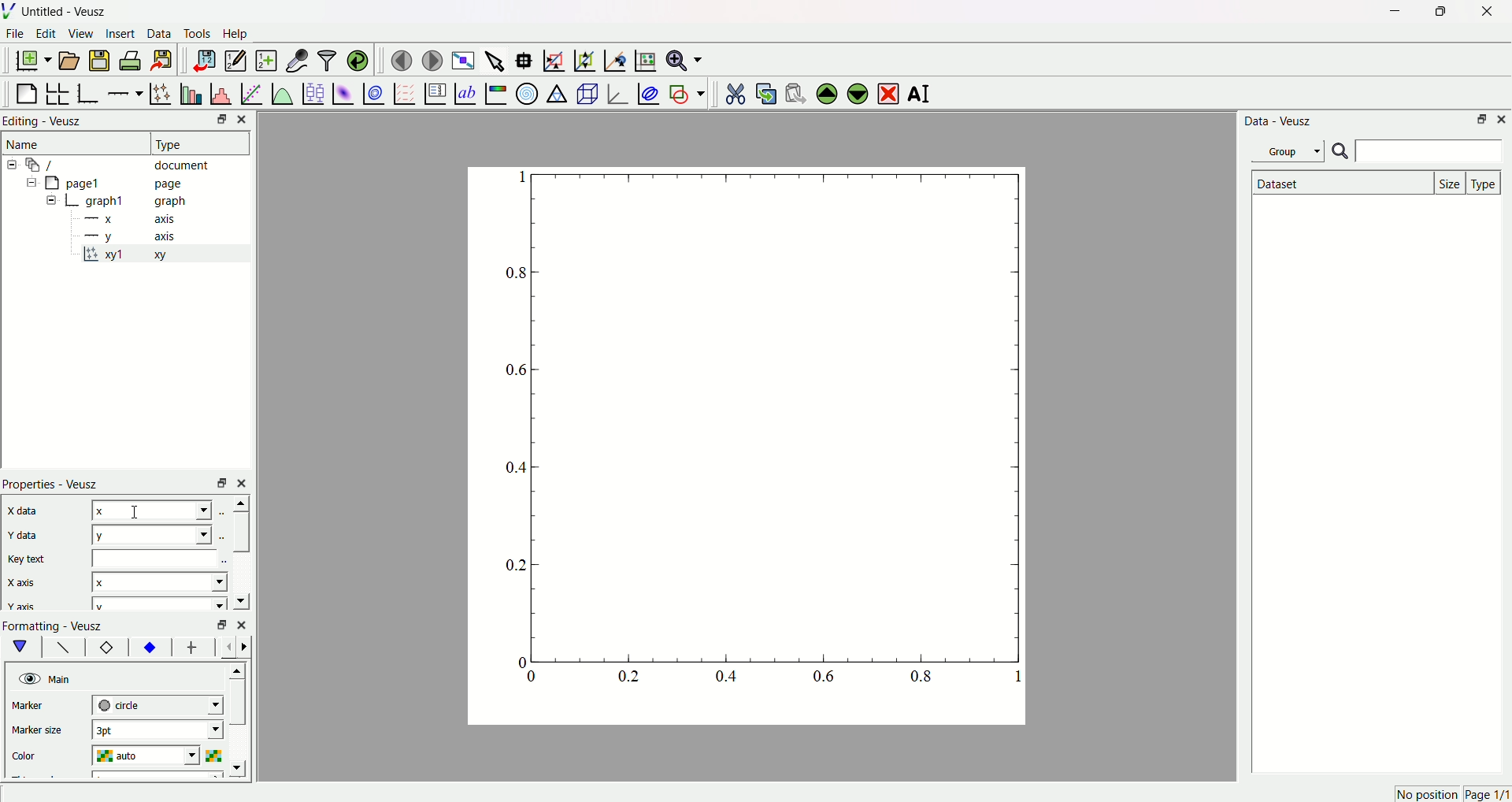 The height and width of the screenshot is (802, 1512). I want to click on plot key, so click(434, 91).